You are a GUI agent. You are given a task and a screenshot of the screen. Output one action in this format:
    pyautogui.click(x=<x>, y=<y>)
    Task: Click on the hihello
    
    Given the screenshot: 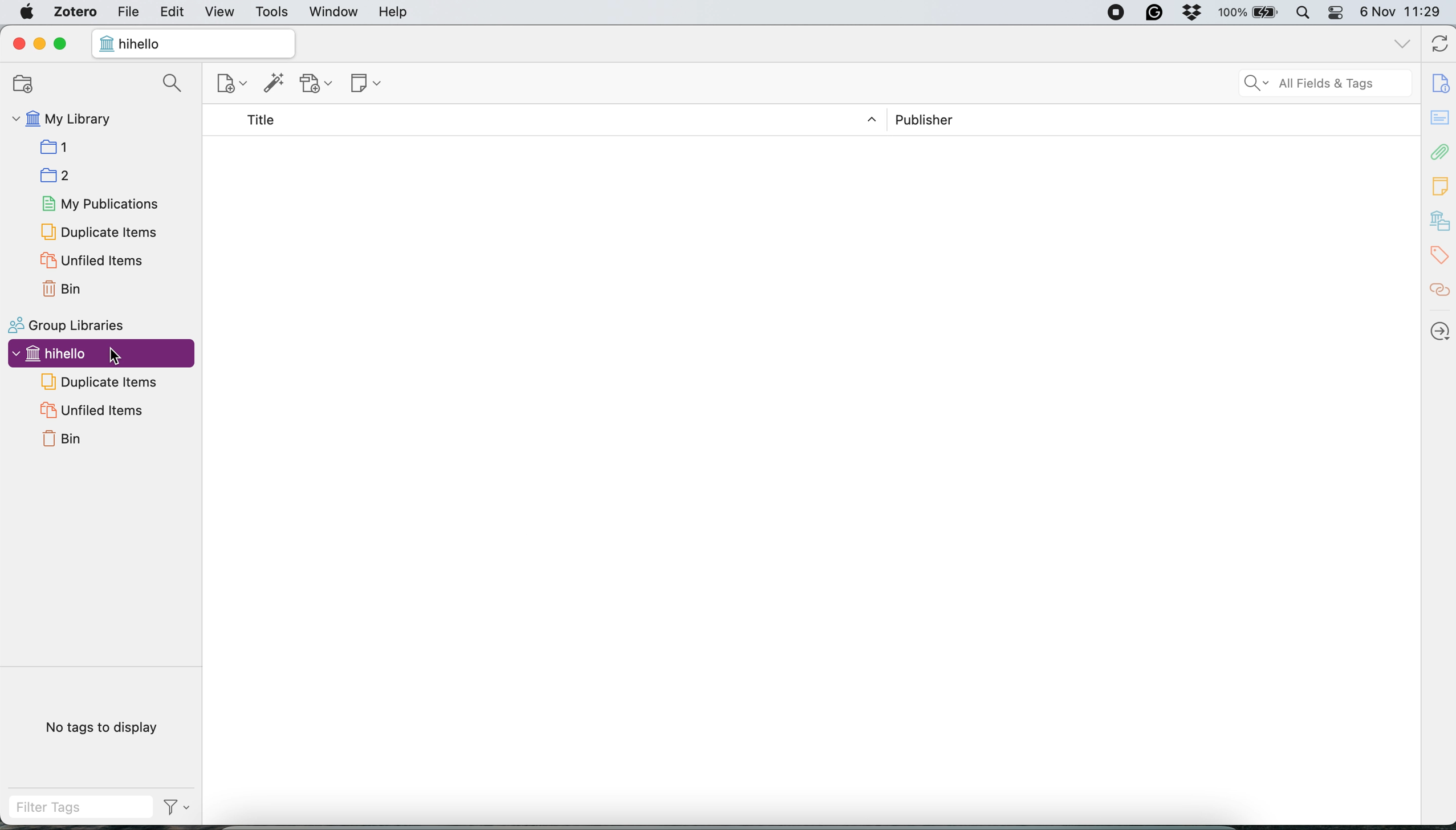 What is the action you would take?
    pyautogui.click(x=143, y=42)
    